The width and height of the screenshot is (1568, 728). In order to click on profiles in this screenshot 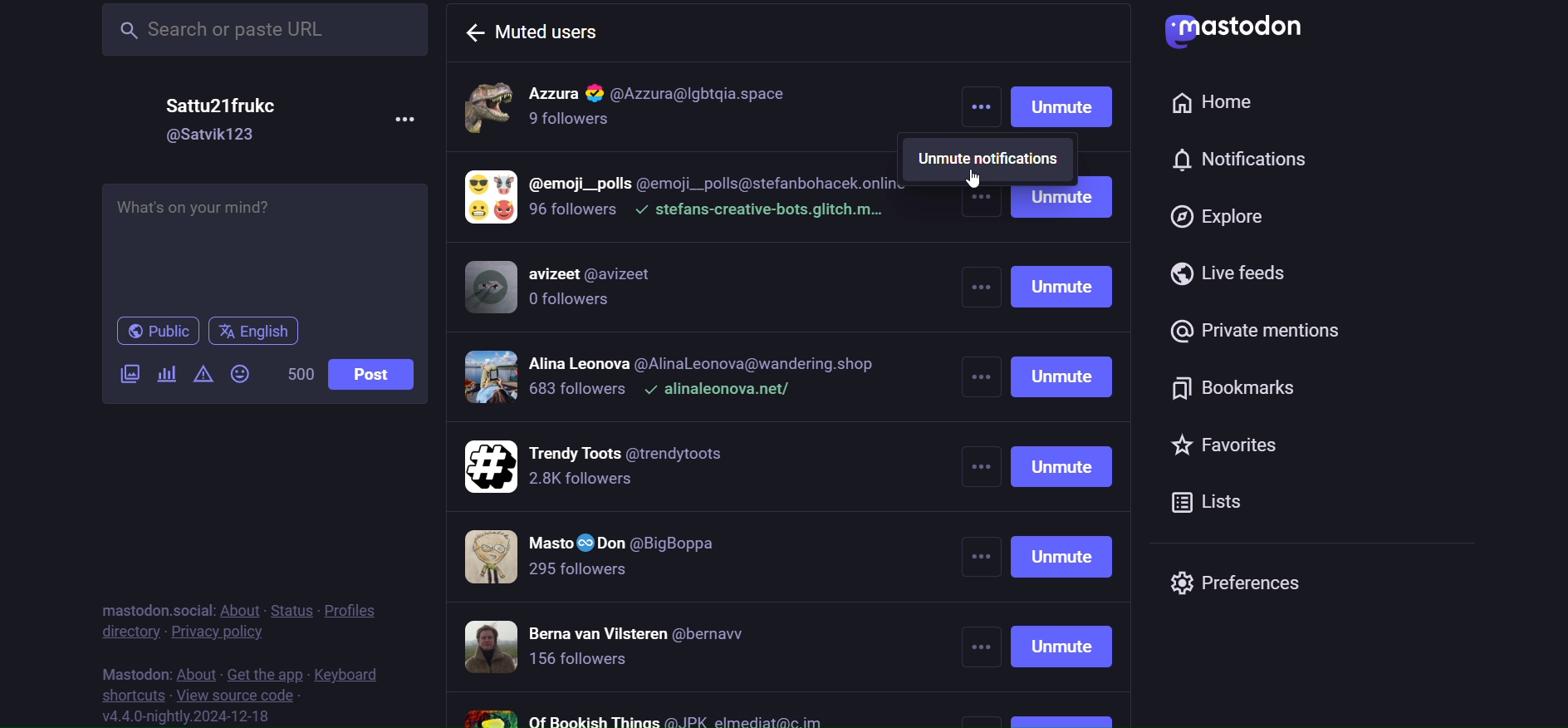, I will do `click(350, 611)`.